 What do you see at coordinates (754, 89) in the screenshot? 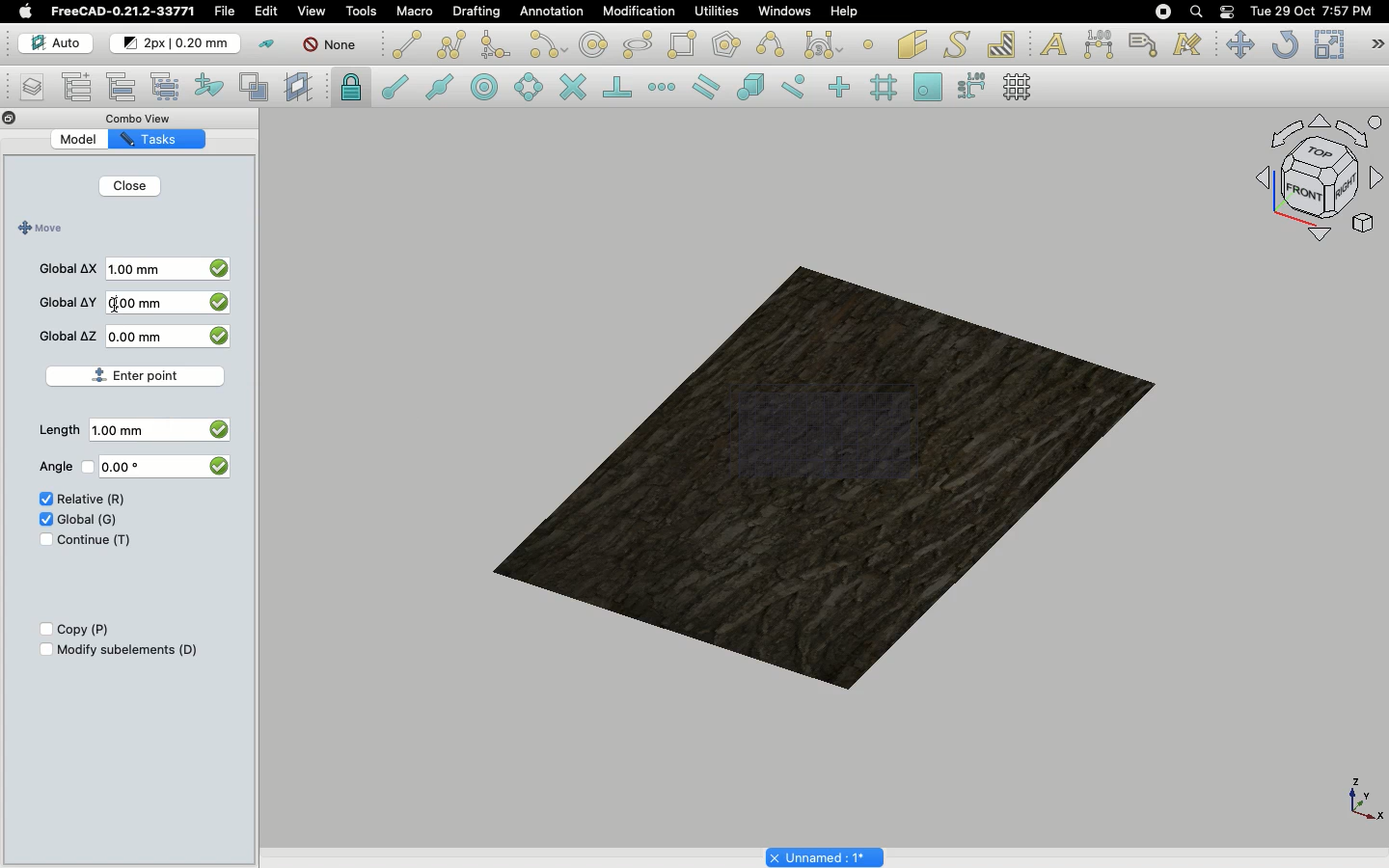
I see `Snap special ` at bounding box center [754, 89].